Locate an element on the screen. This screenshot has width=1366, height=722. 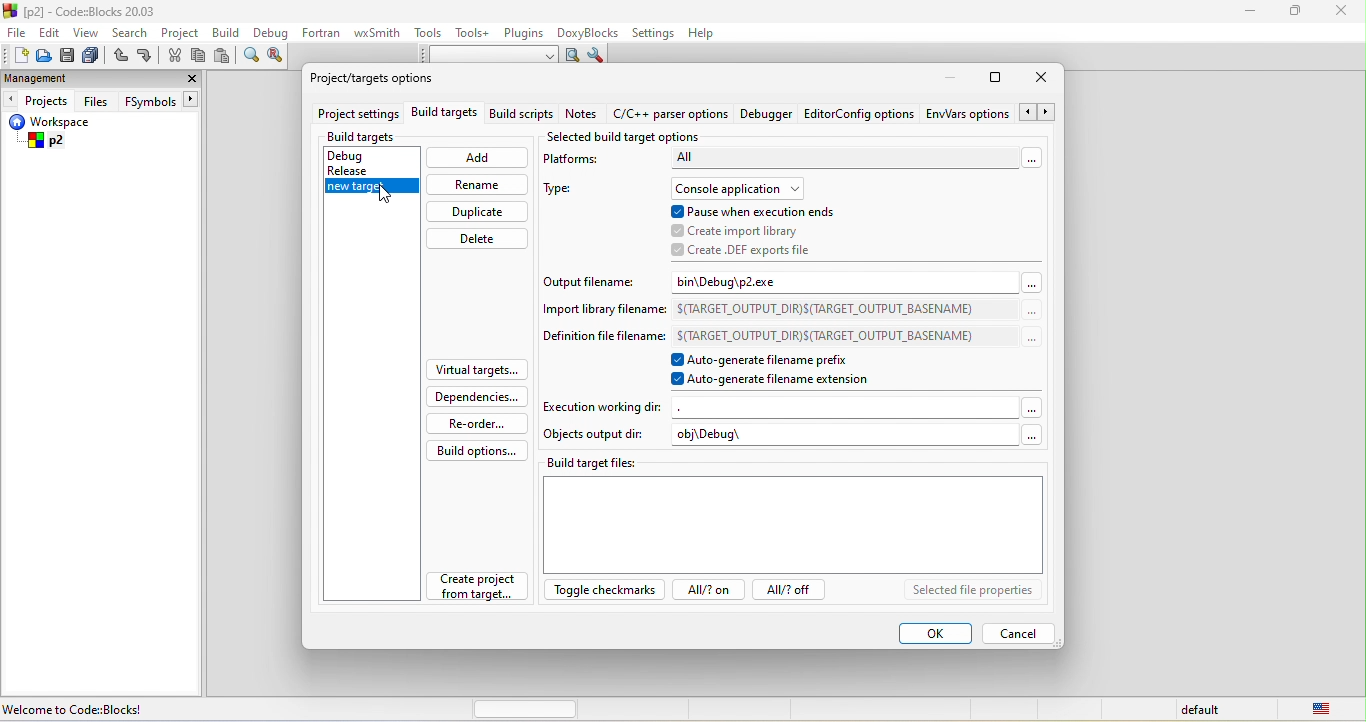
run search is located at coordinates (572, 55).